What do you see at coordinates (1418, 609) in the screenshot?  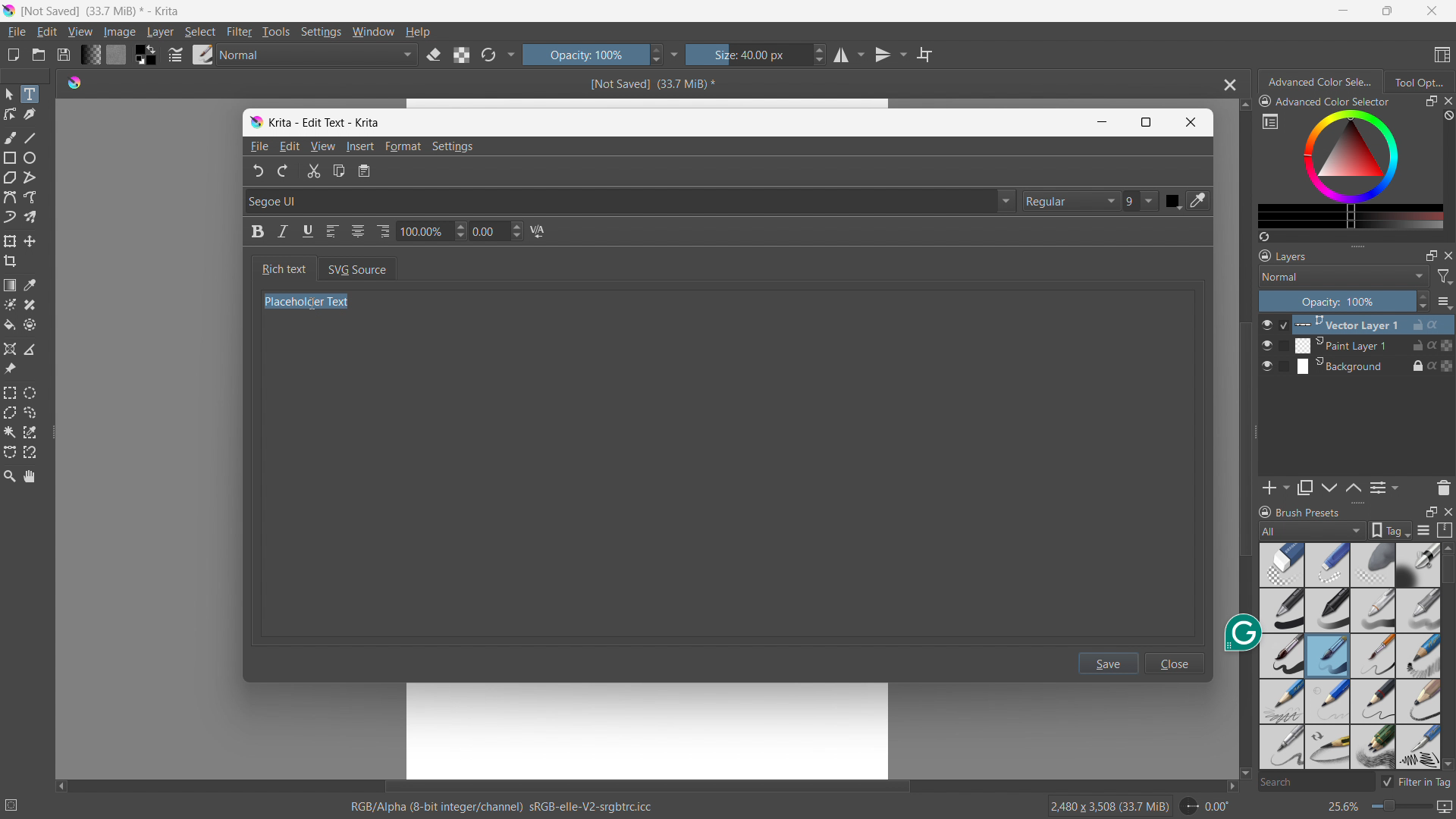 I see `blur pencil` at bounding box center [1418, 609].